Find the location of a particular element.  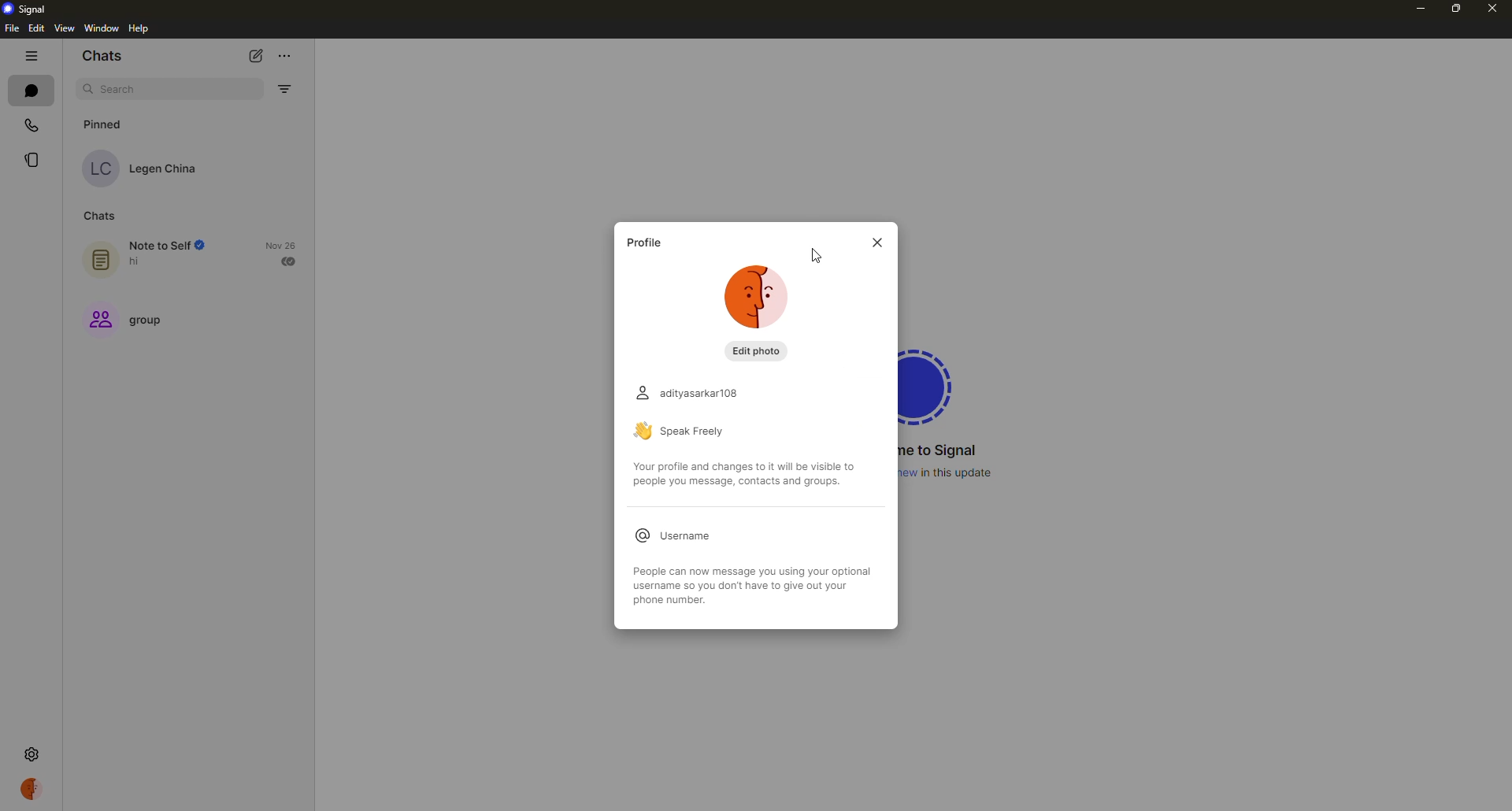

speak freely is located at coordinates (687, 431).